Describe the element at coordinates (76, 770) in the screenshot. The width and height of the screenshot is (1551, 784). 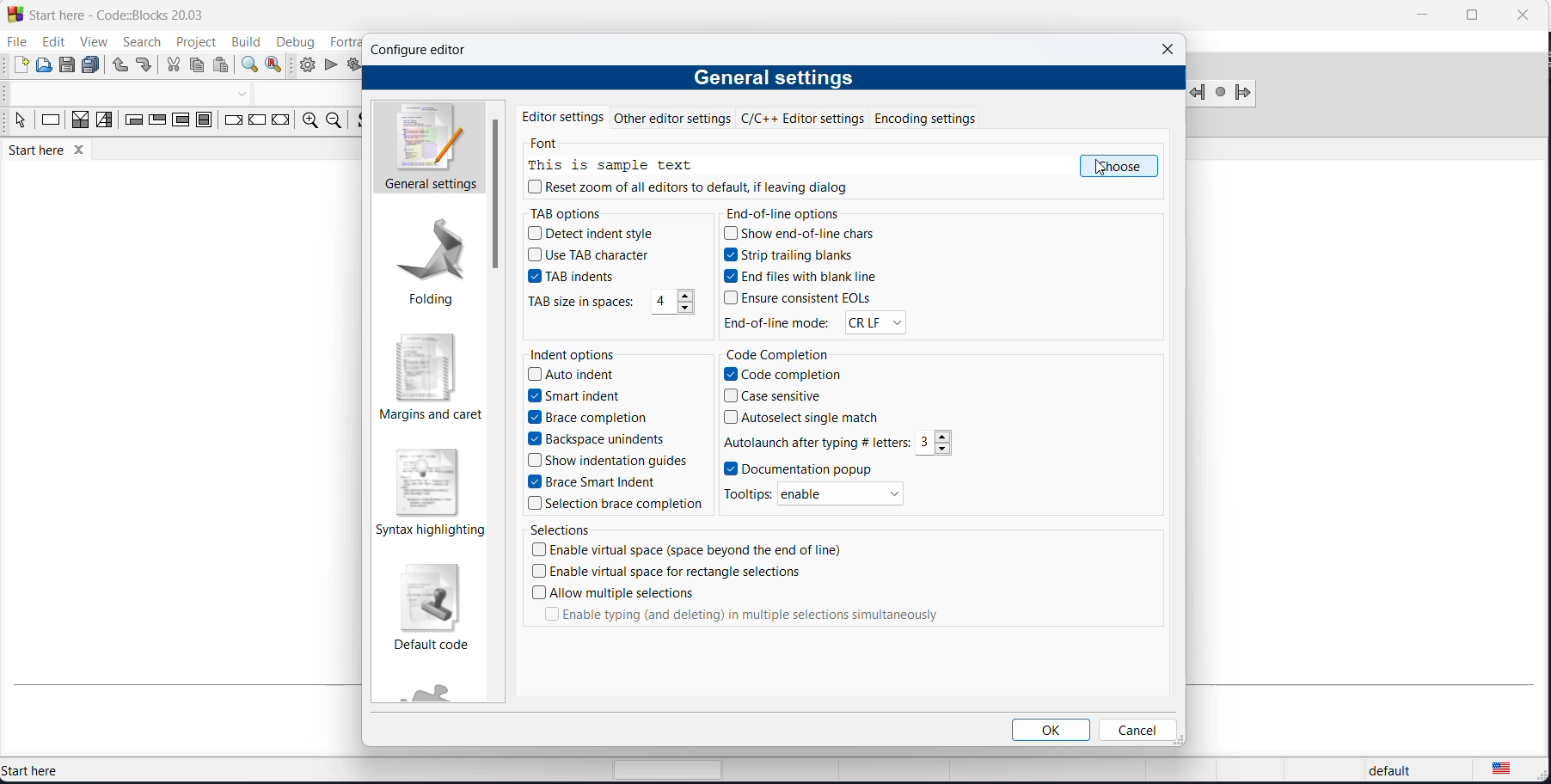
I see `start here` at that location.